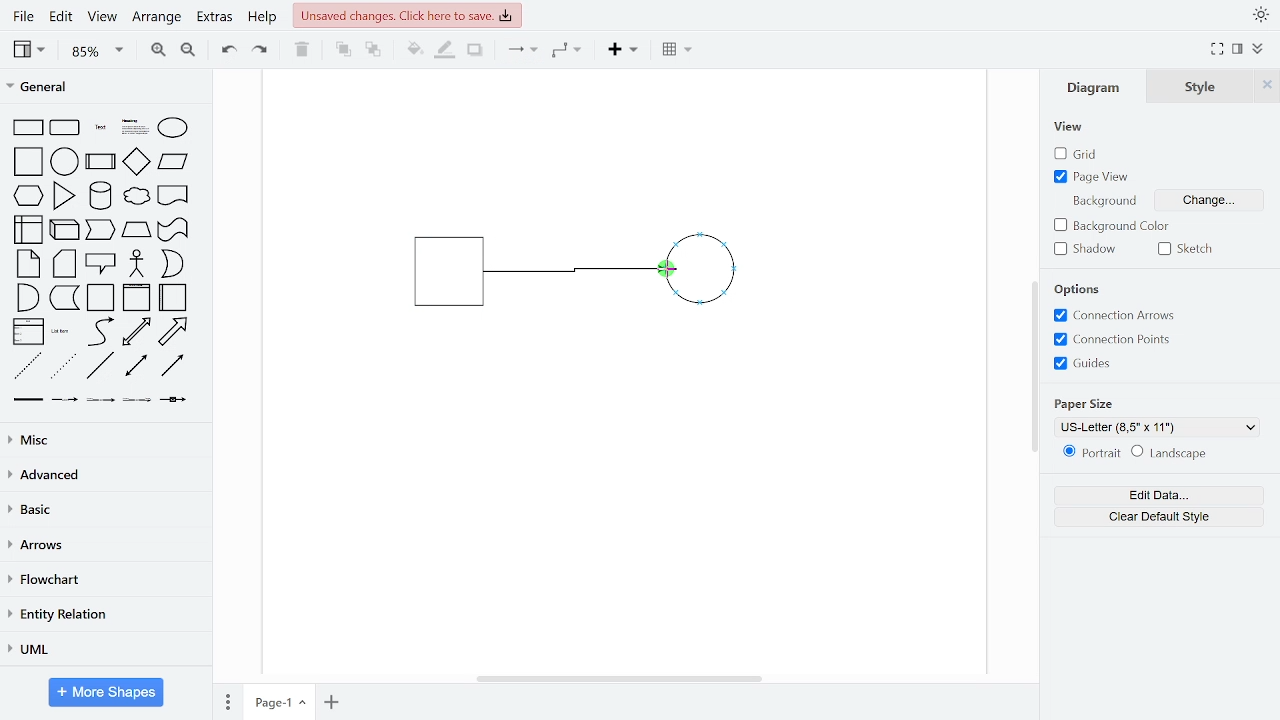 The height and width of the screenshot is (720, 1280). I want to click on arrange, so click(157, 18).